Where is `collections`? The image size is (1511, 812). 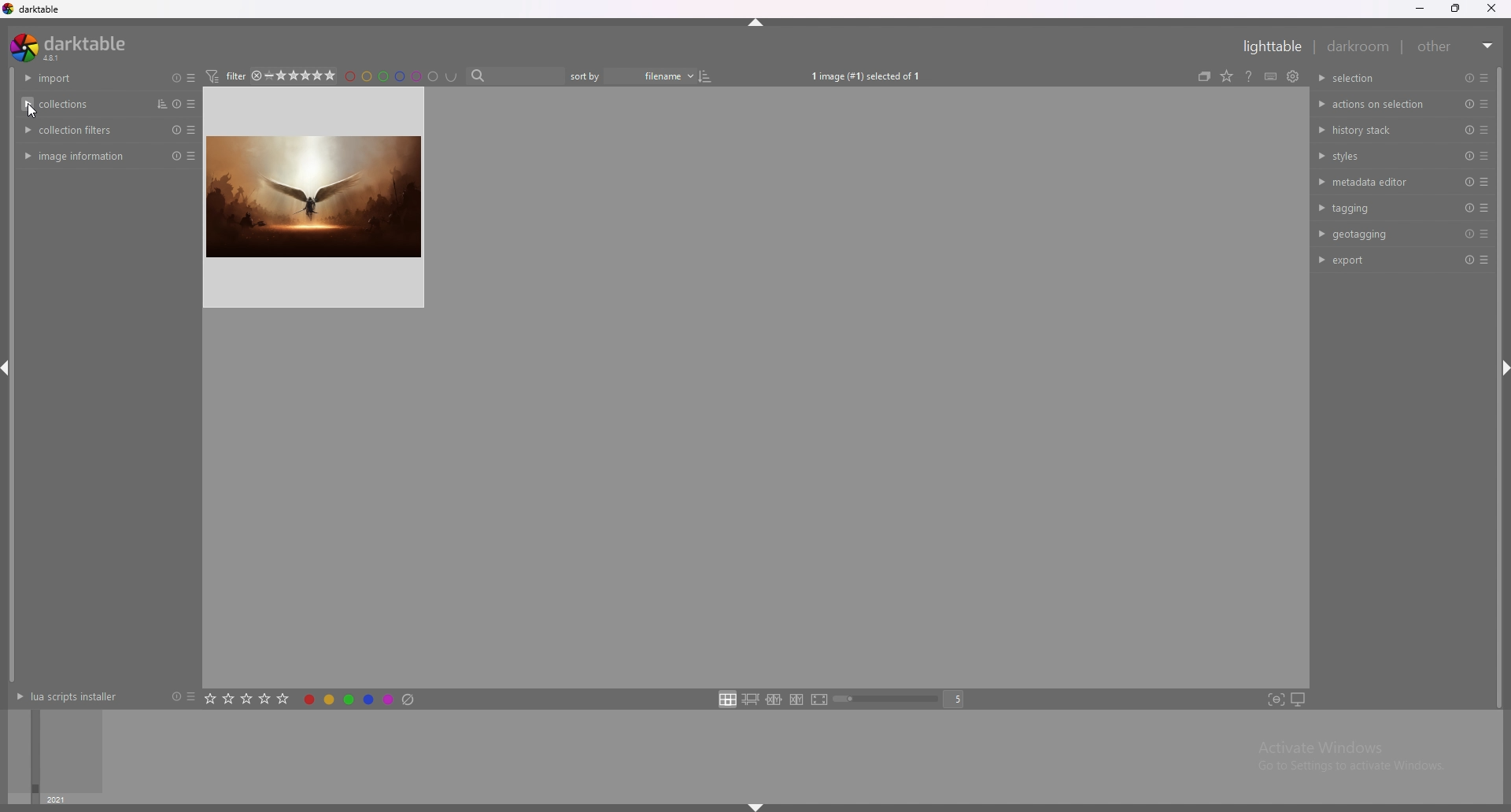 collections is located at coordinates (80, 104).